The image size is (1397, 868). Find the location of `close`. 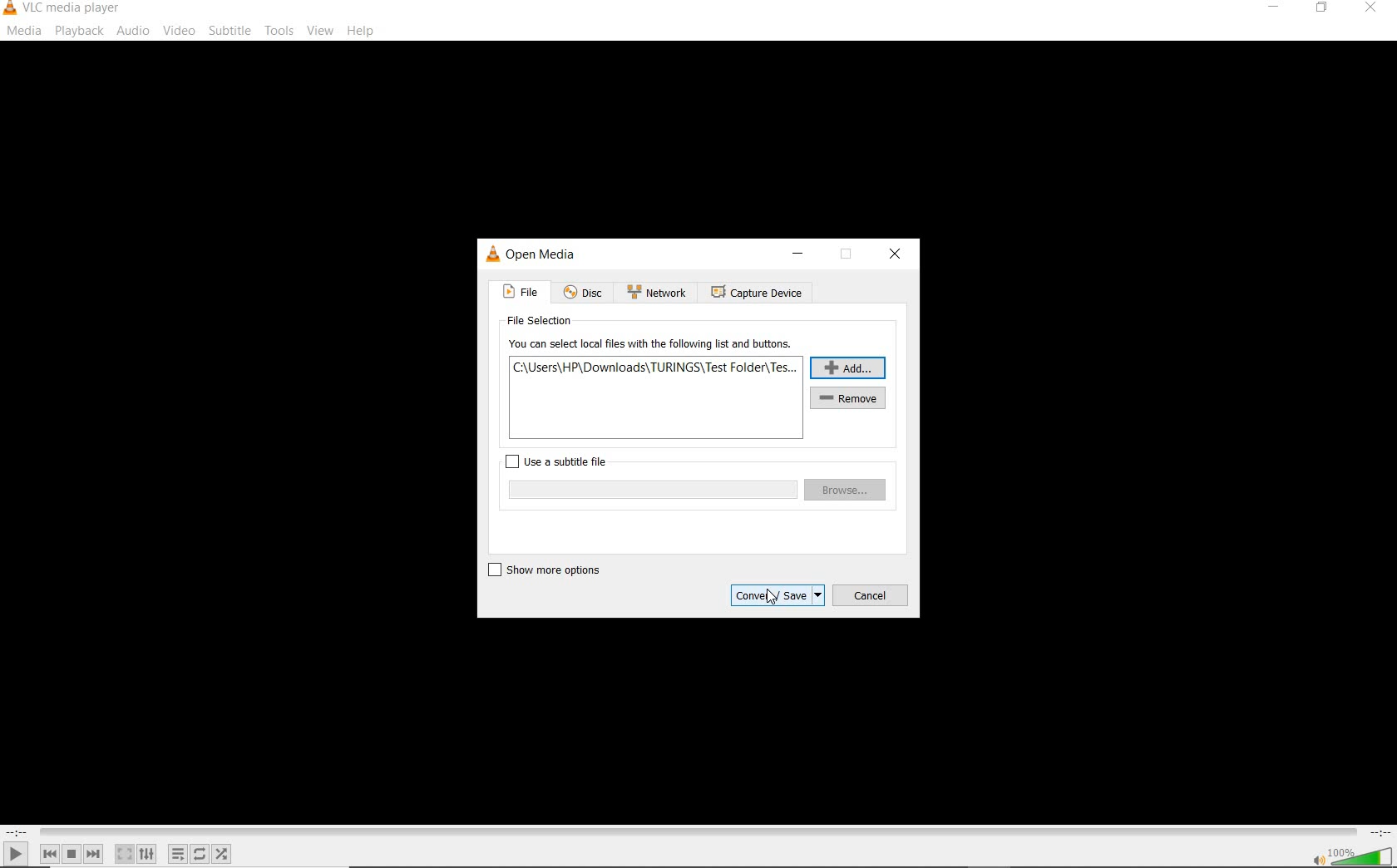

close is located at coordinates (893, 254).